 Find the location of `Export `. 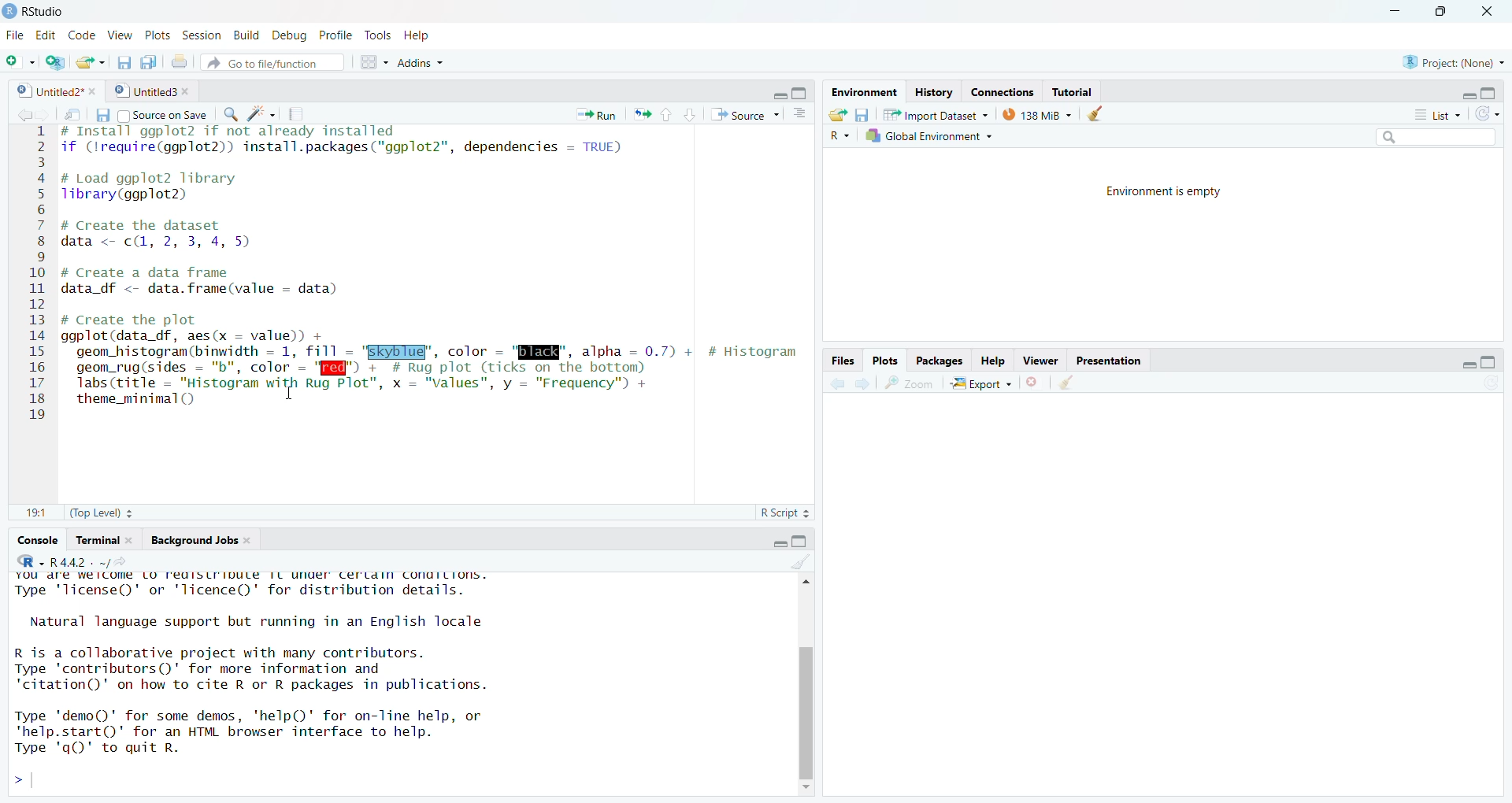

Export  is located at coordinates (976, 383).